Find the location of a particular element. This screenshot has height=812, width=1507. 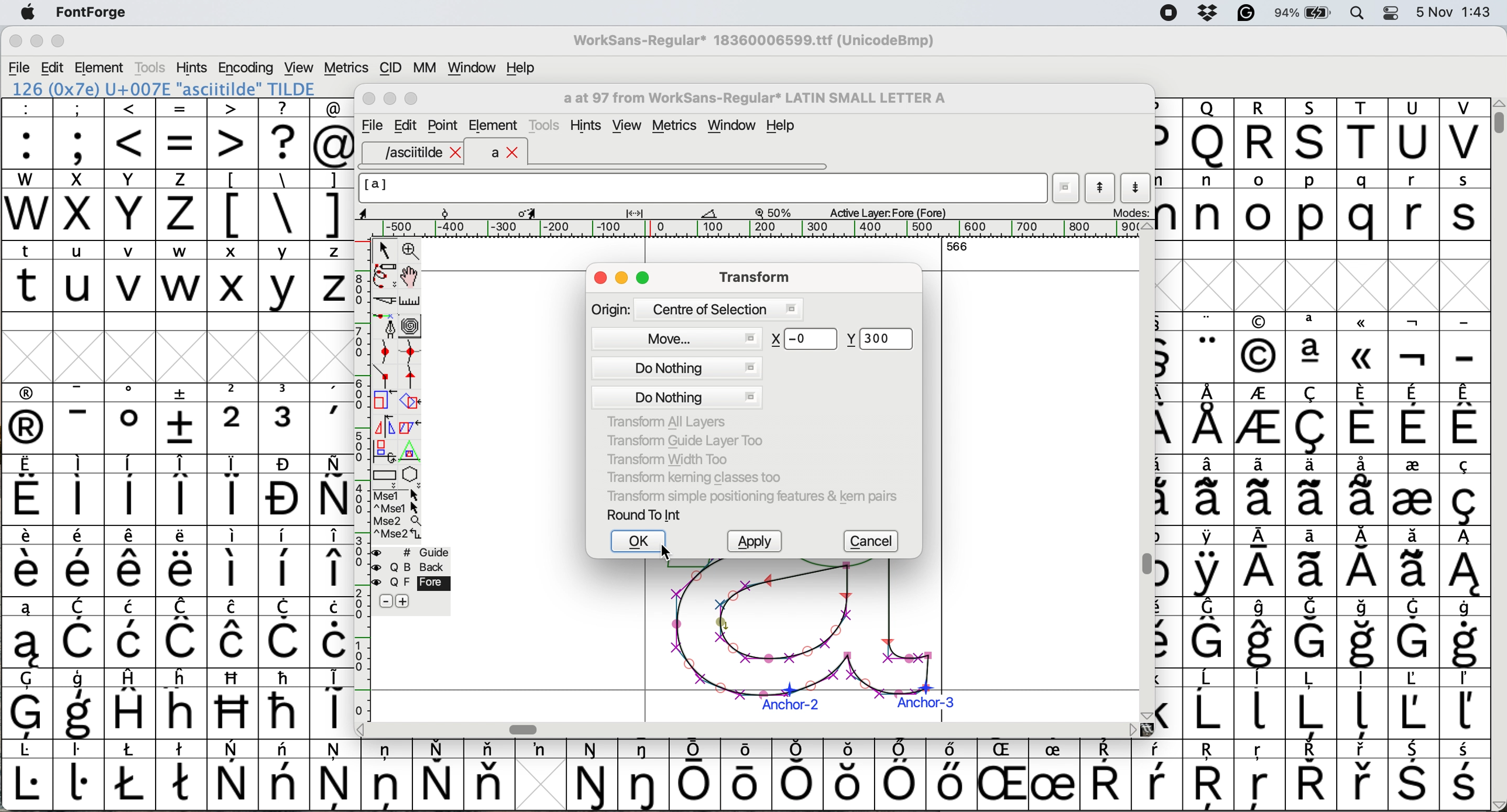

measure distance is located at coordinates (411, 301).